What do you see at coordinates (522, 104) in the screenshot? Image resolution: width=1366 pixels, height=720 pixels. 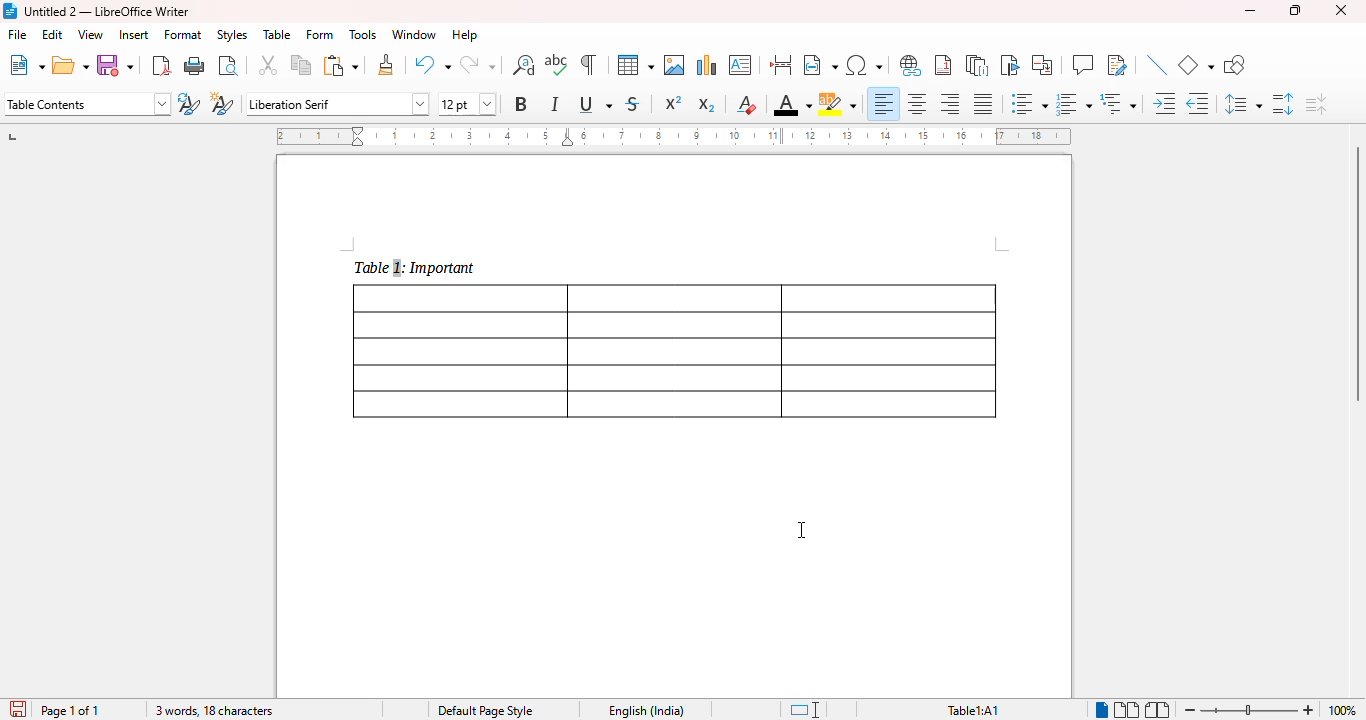 I see `bold` at bounding box center [522, 104].